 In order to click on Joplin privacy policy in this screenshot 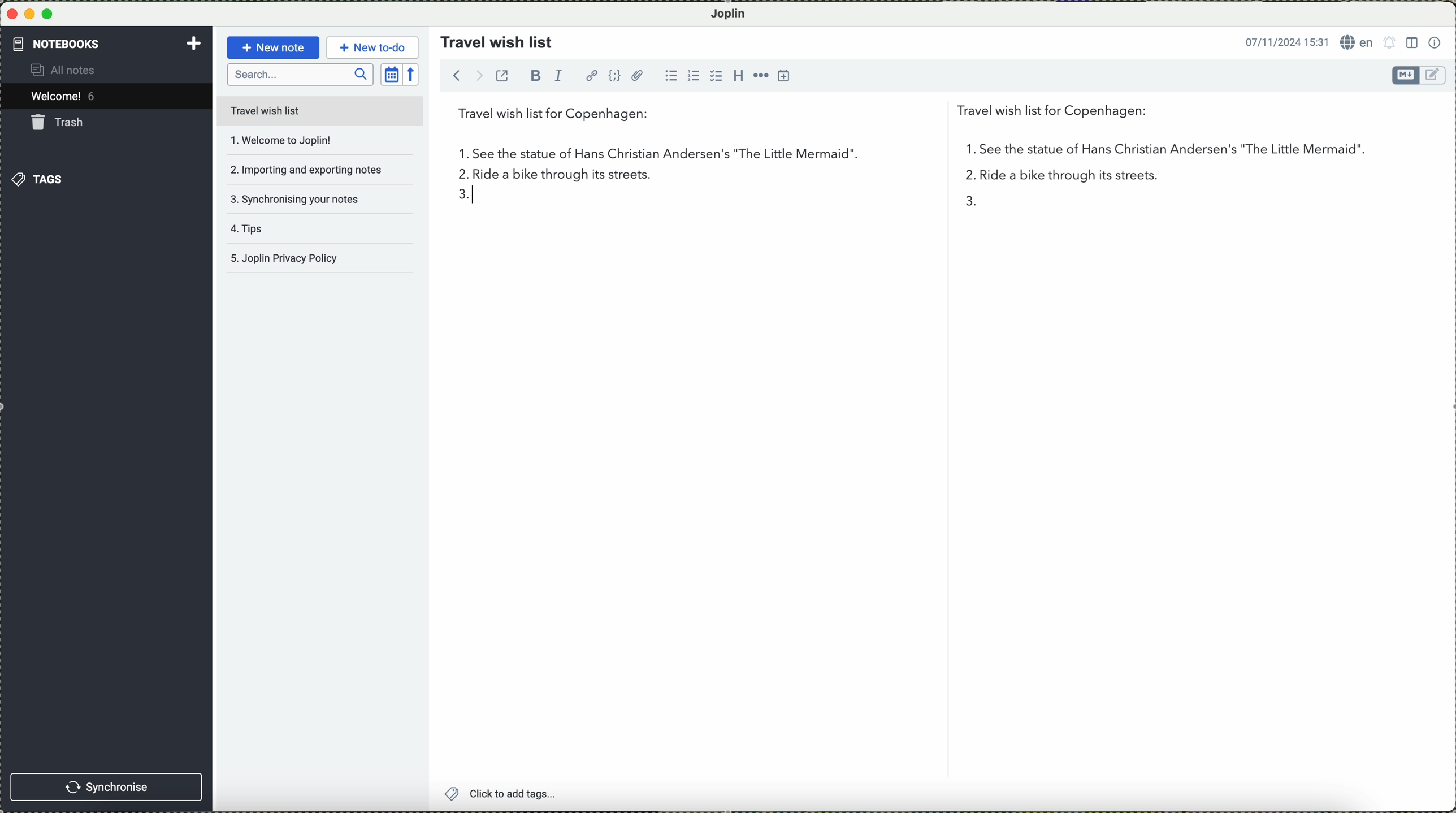, I will do `click(317, 261)`.